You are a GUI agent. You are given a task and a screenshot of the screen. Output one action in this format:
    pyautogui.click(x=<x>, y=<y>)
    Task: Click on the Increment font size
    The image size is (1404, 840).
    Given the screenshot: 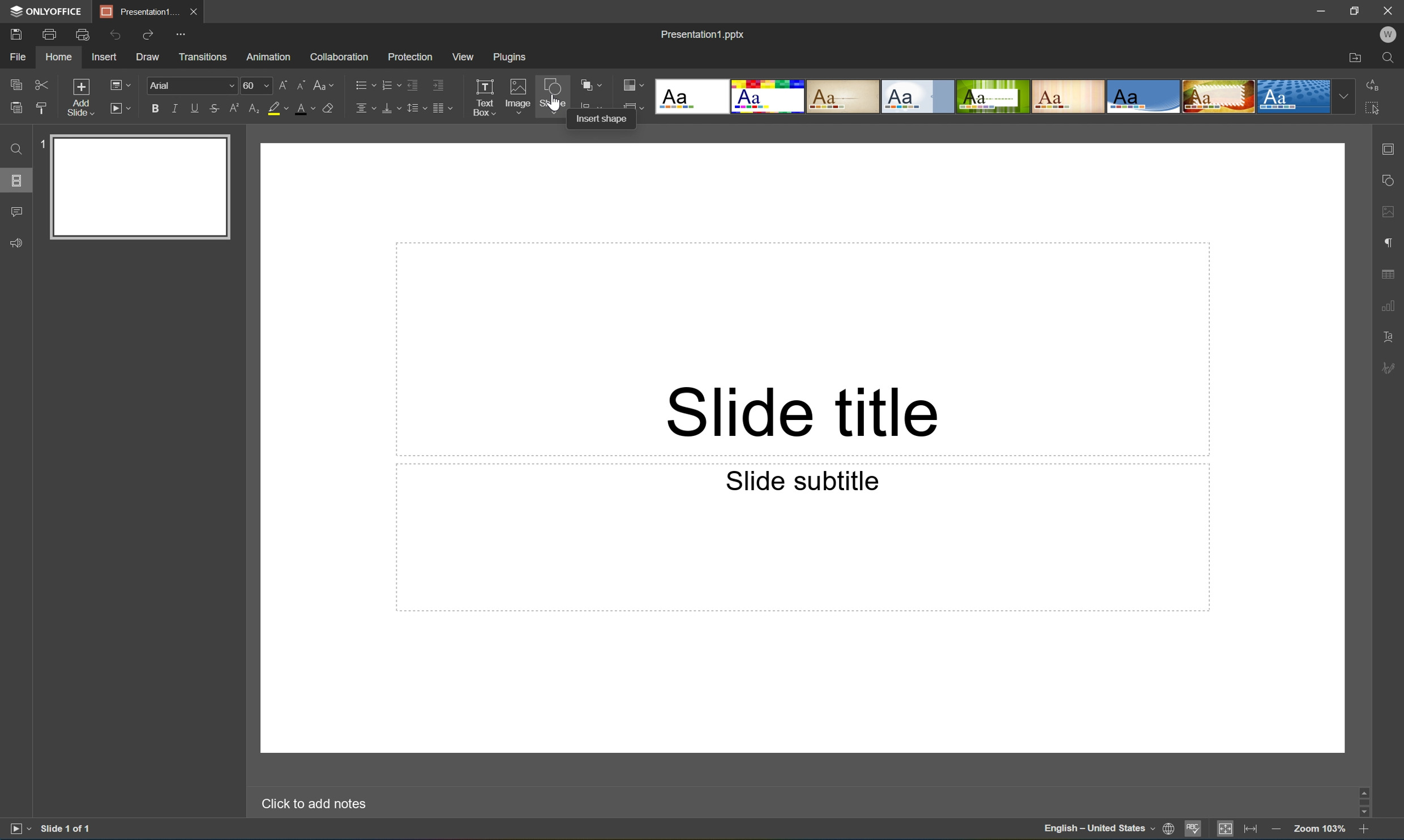 What is the action you would take?
    pyautogui.click(x=281, y=84)
    